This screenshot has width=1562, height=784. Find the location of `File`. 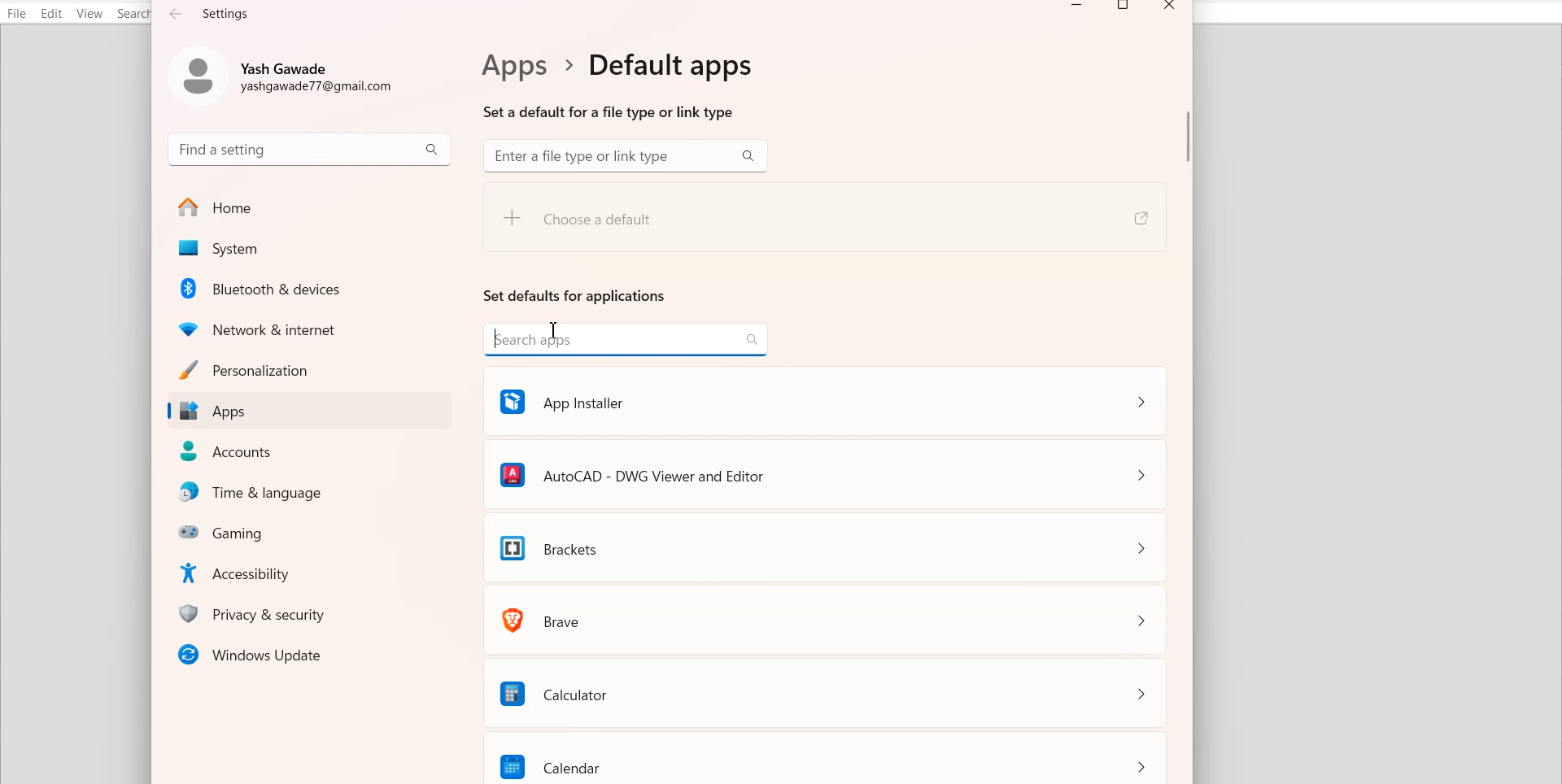

File is located at coordinates (17, 13).